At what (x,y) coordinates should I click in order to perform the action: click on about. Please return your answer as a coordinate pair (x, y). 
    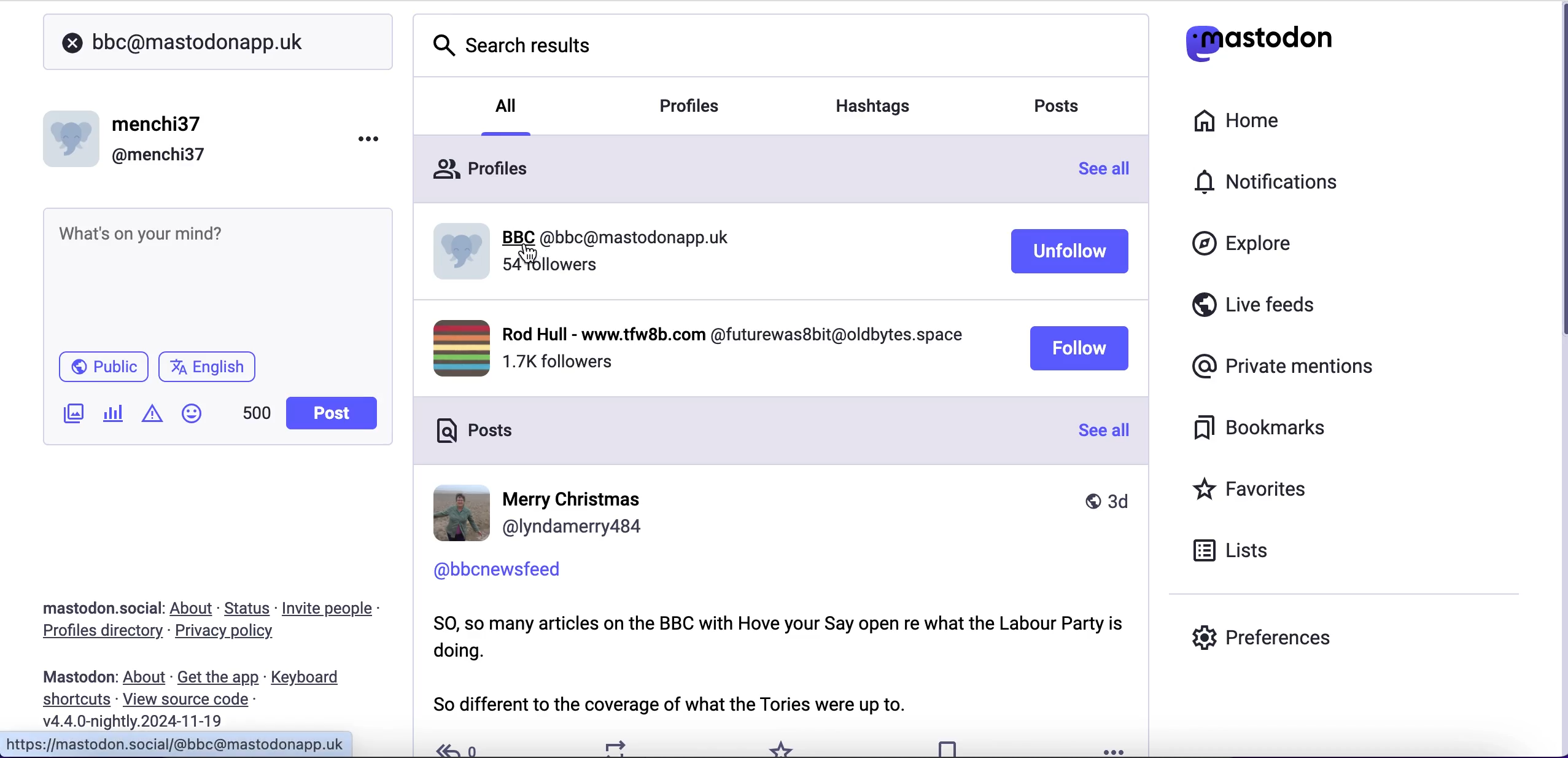
    Looking at the image, I should click on (194, 608).